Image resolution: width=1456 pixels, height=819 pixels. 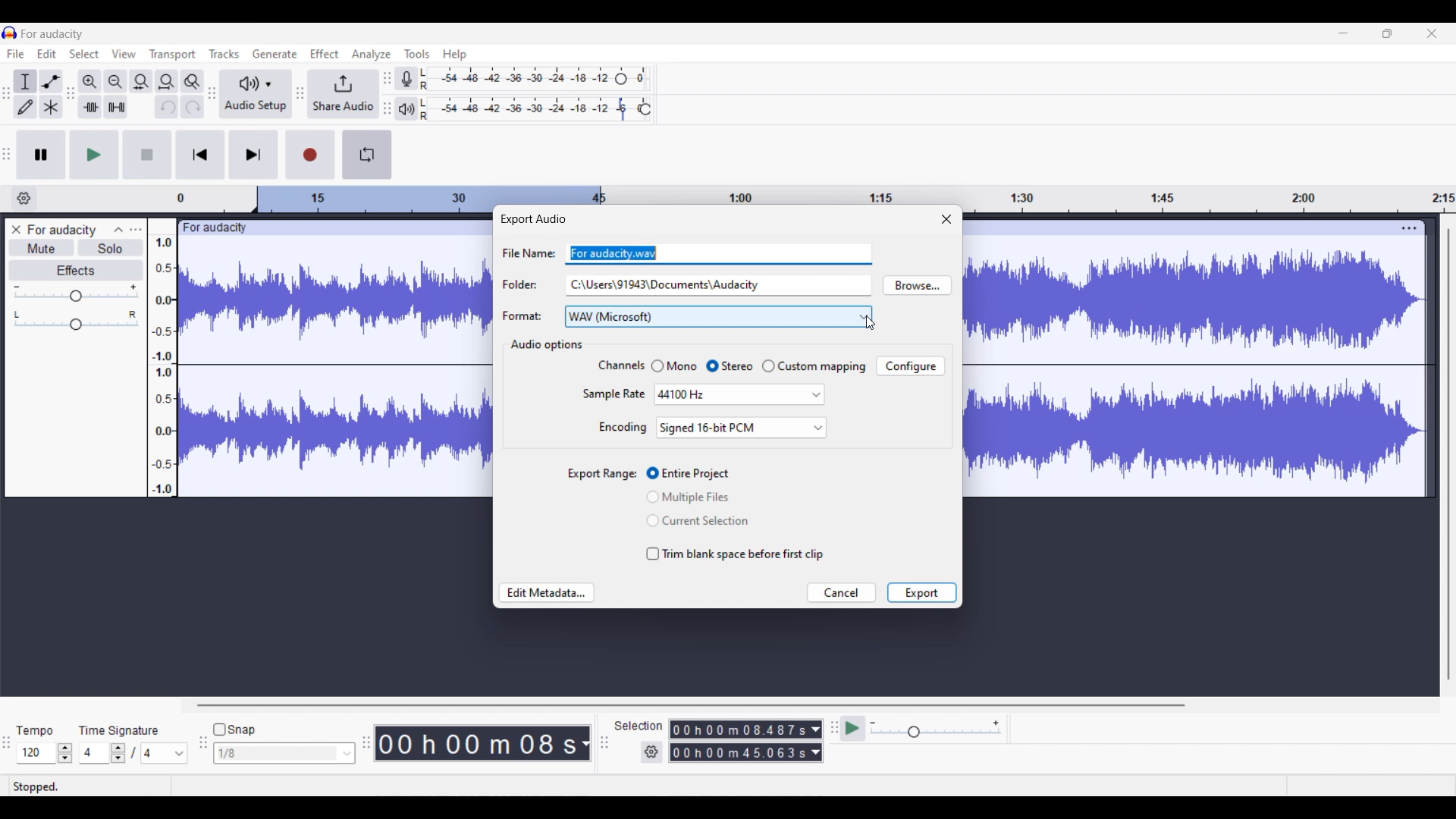 What do you see at coordinates (119, 230) in the screenshot?
I see `Collapse` at bounding box center [119, 230].